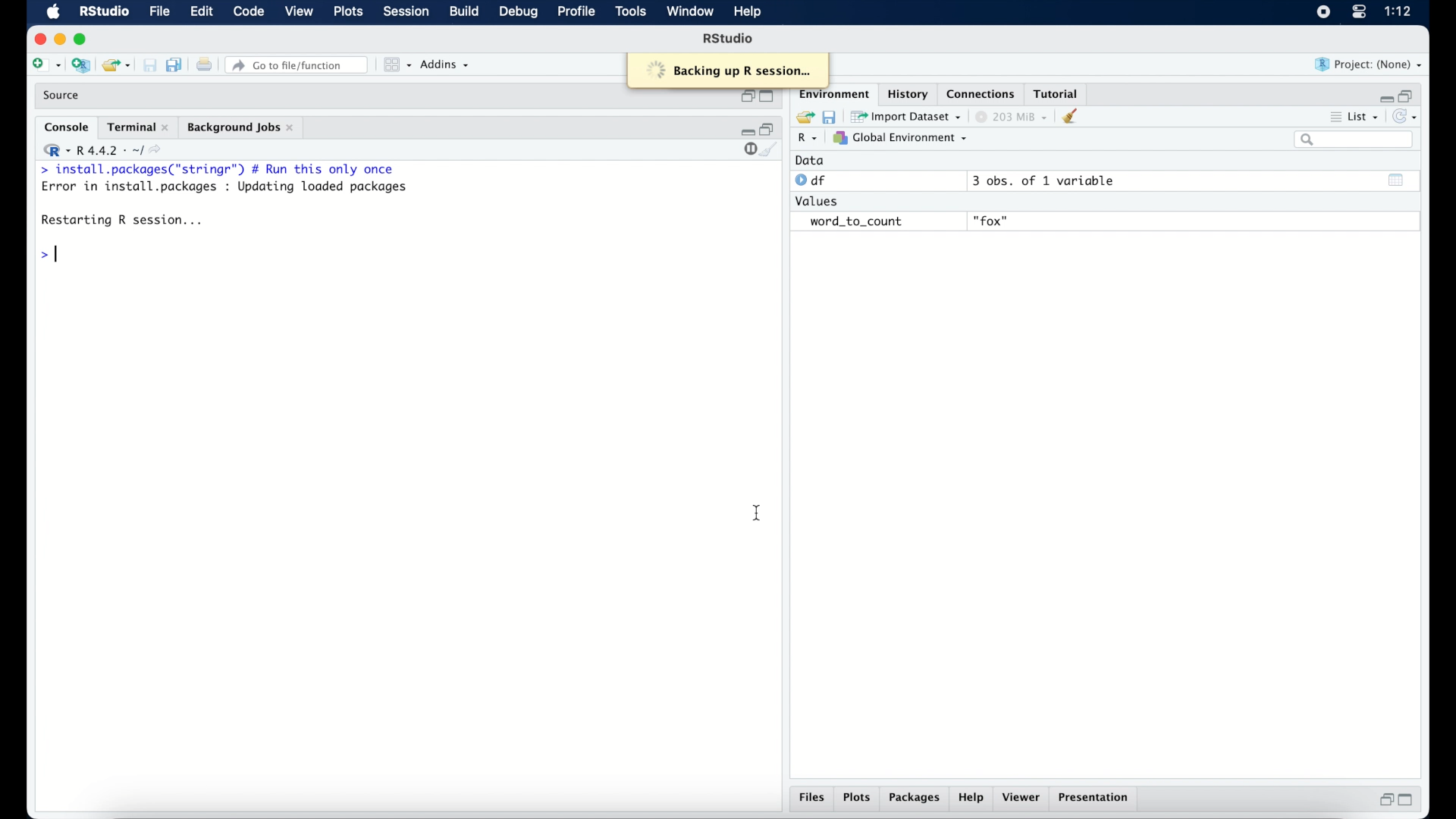 This screenshot has width=1456, height=819. Describe the element at coordinates (854, 222) in the screenshot. I see `word_to_count` at that location.